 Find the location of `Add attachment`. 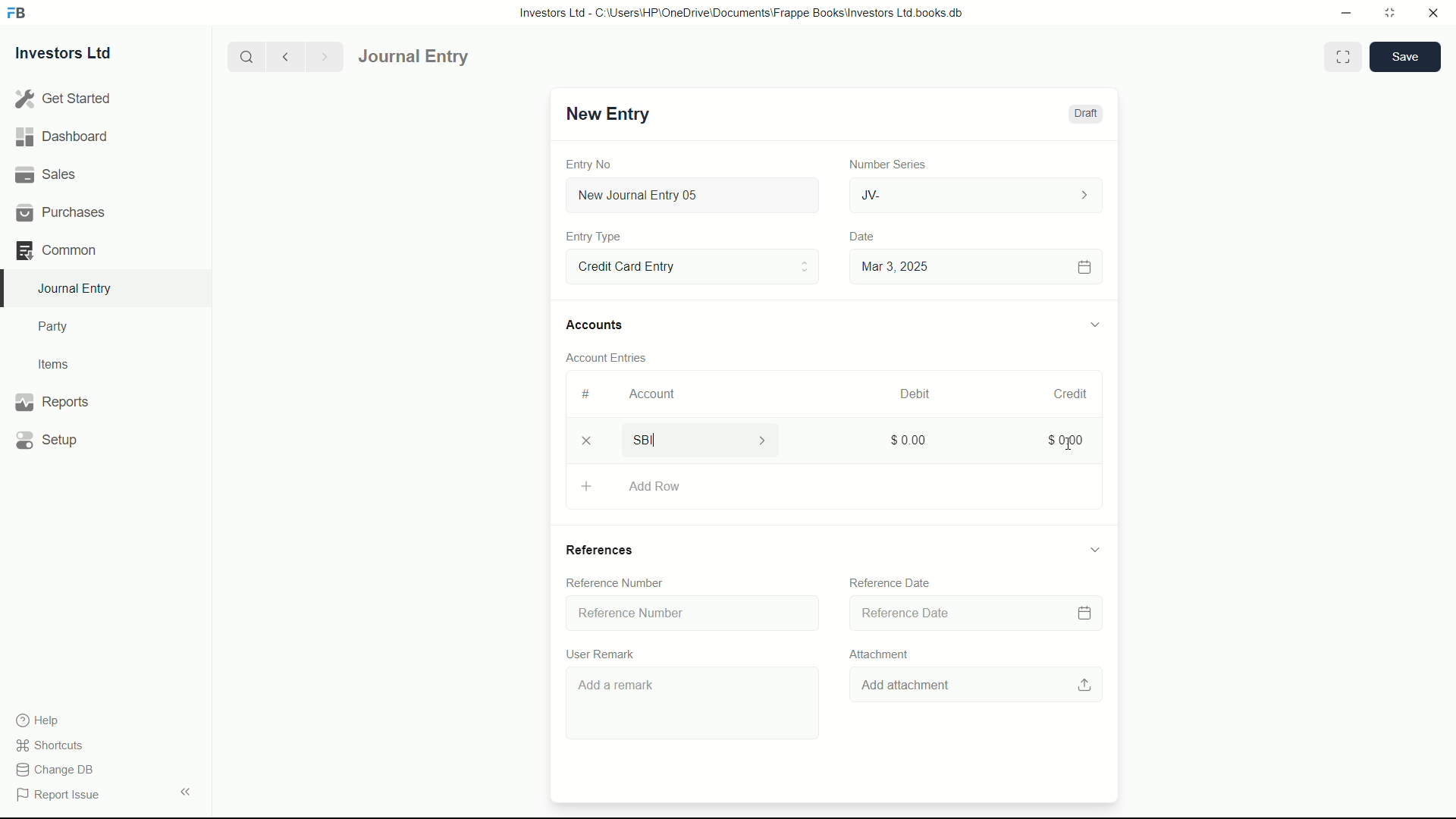

Add attachment is located at coordinates (980, 684).